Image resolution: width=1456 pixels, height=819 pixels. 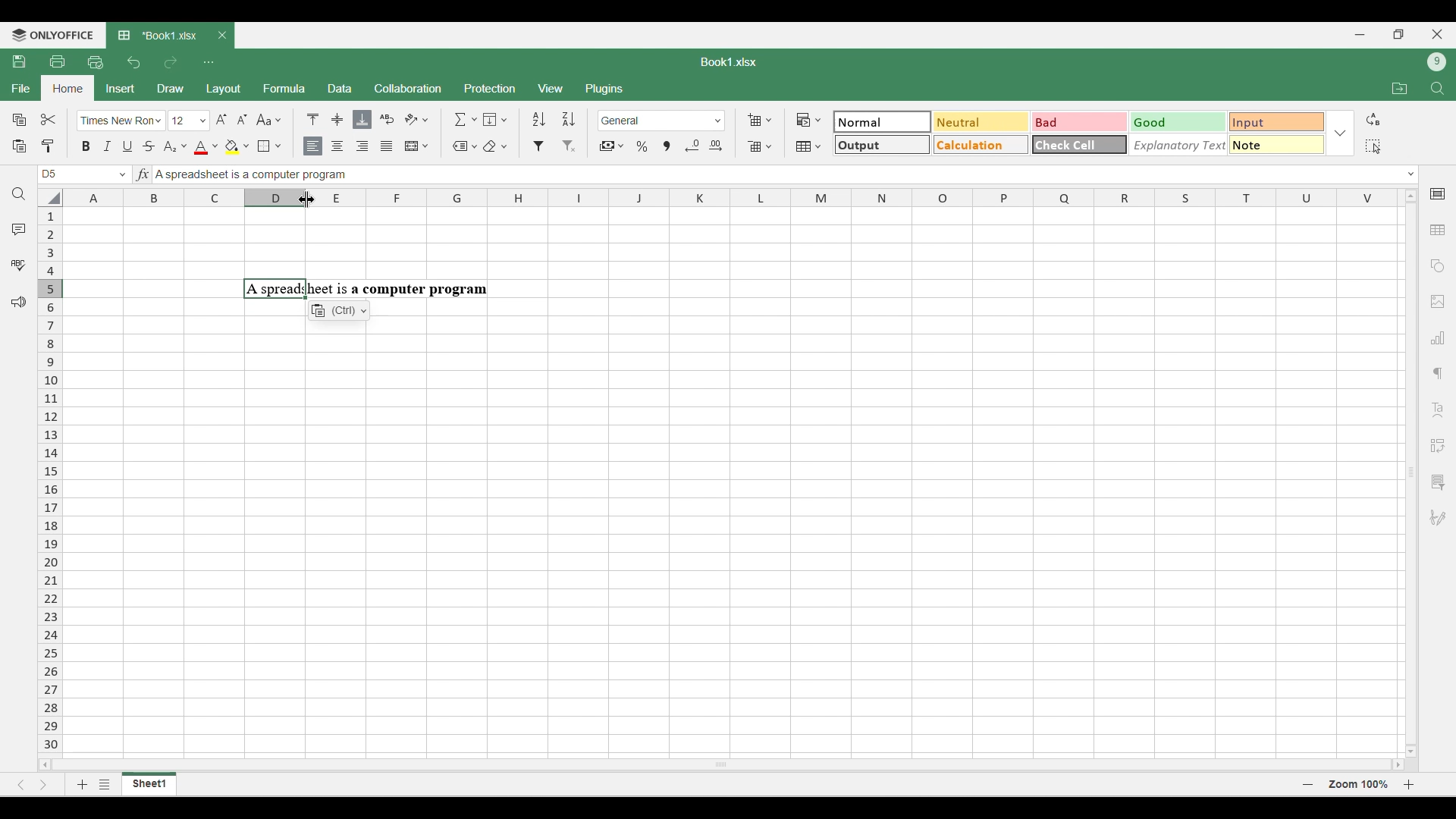 What do you see at coordinates (352, 175) in the screenshot?
I see `A spreadsheet is a computer program` at bounding box center [352, 175].